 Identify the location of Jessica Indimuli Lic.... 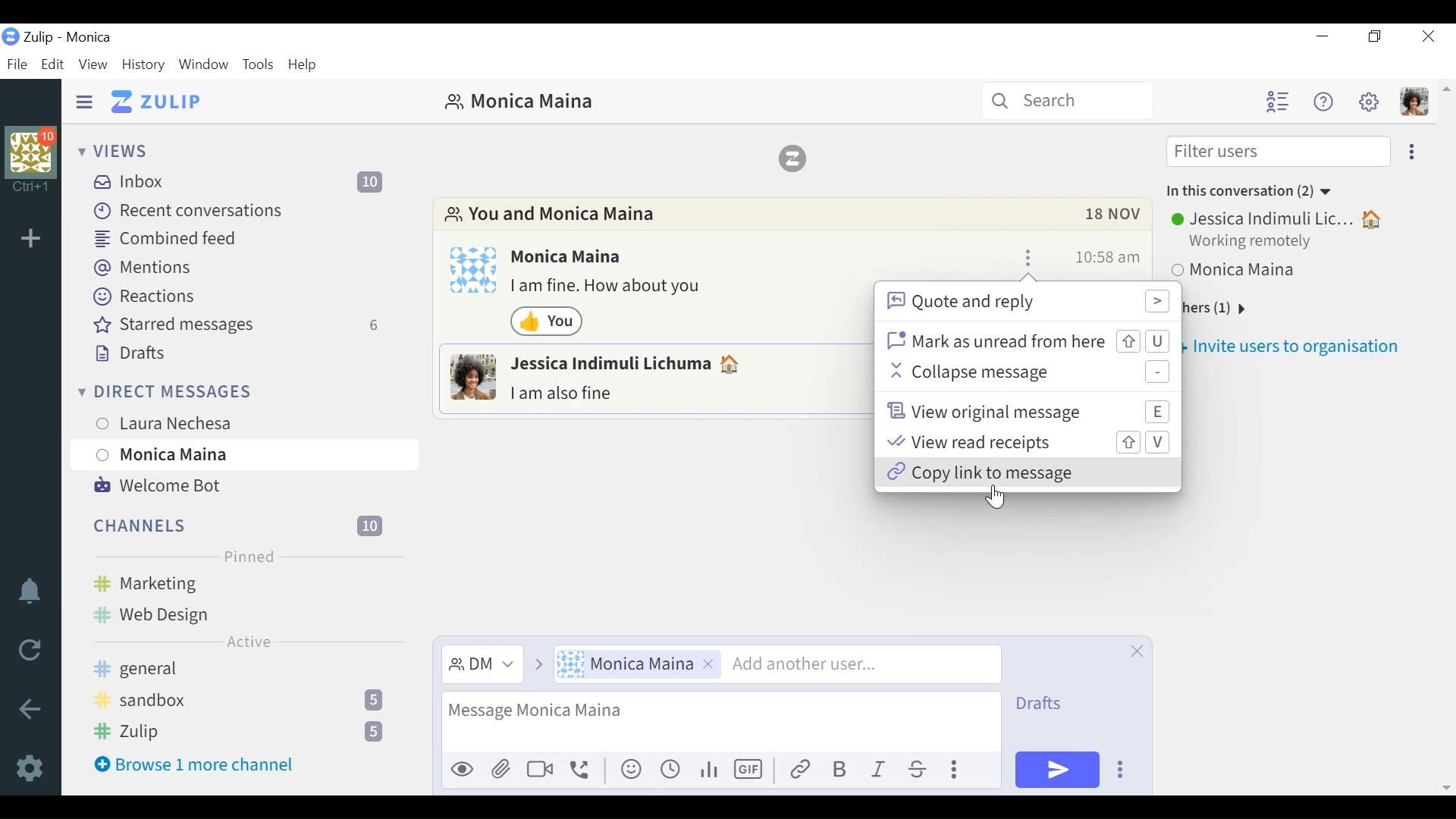
(1278, 219).